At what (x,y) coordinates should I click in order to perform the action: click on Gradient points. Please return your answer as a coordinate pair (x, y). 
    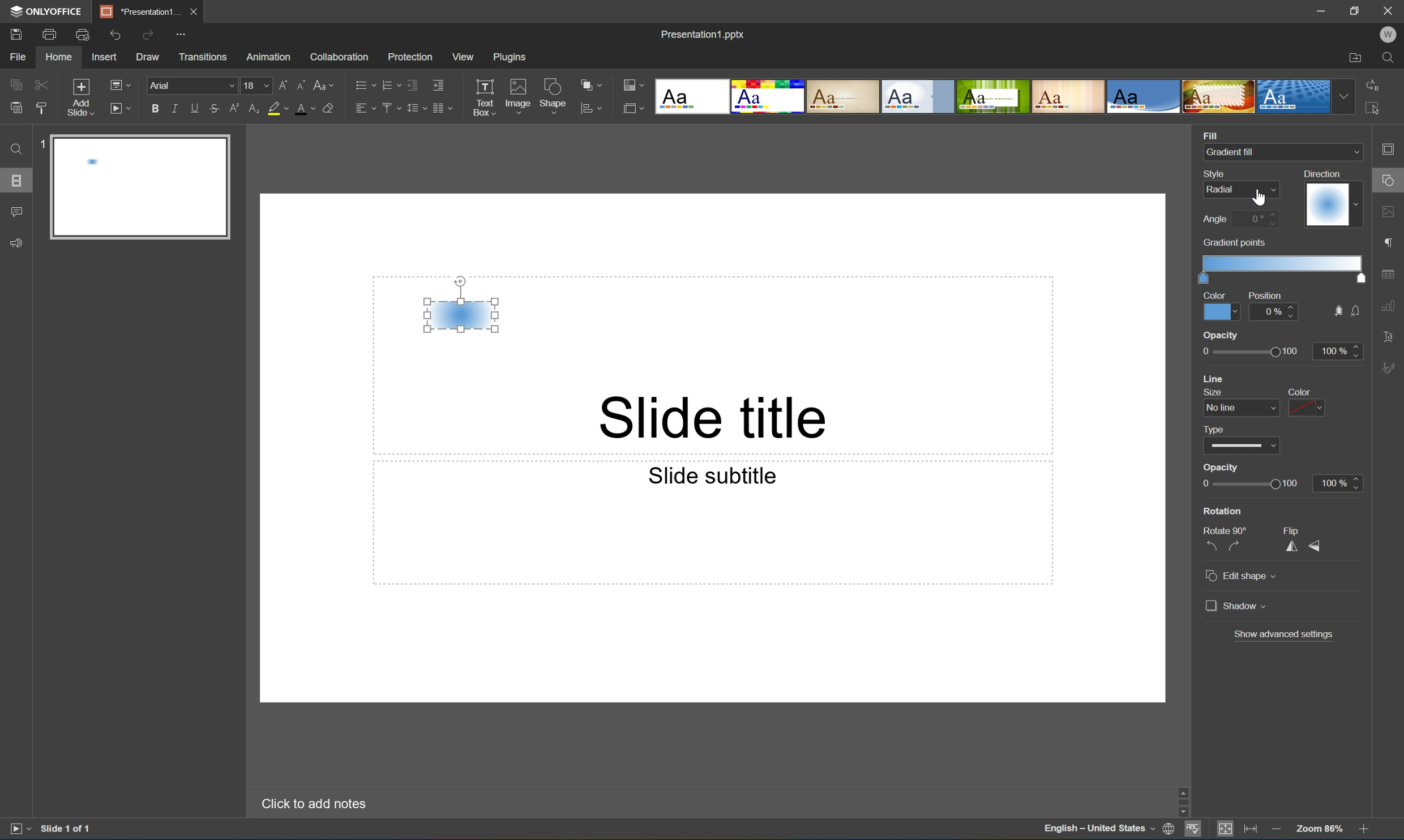
    Looking at the image, I should click on (1234, 241).